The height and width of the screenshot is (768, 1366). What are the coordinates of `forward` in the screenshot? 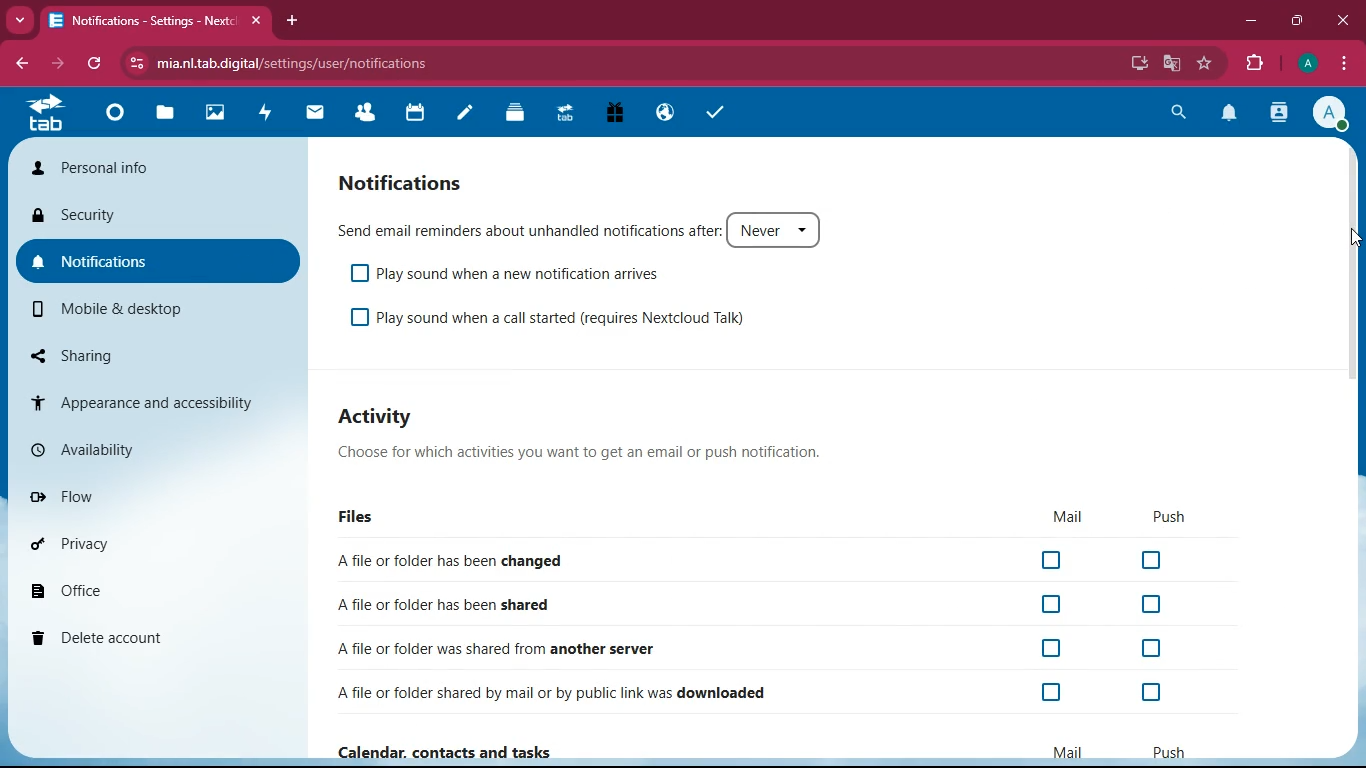 It's located at (58, 62).